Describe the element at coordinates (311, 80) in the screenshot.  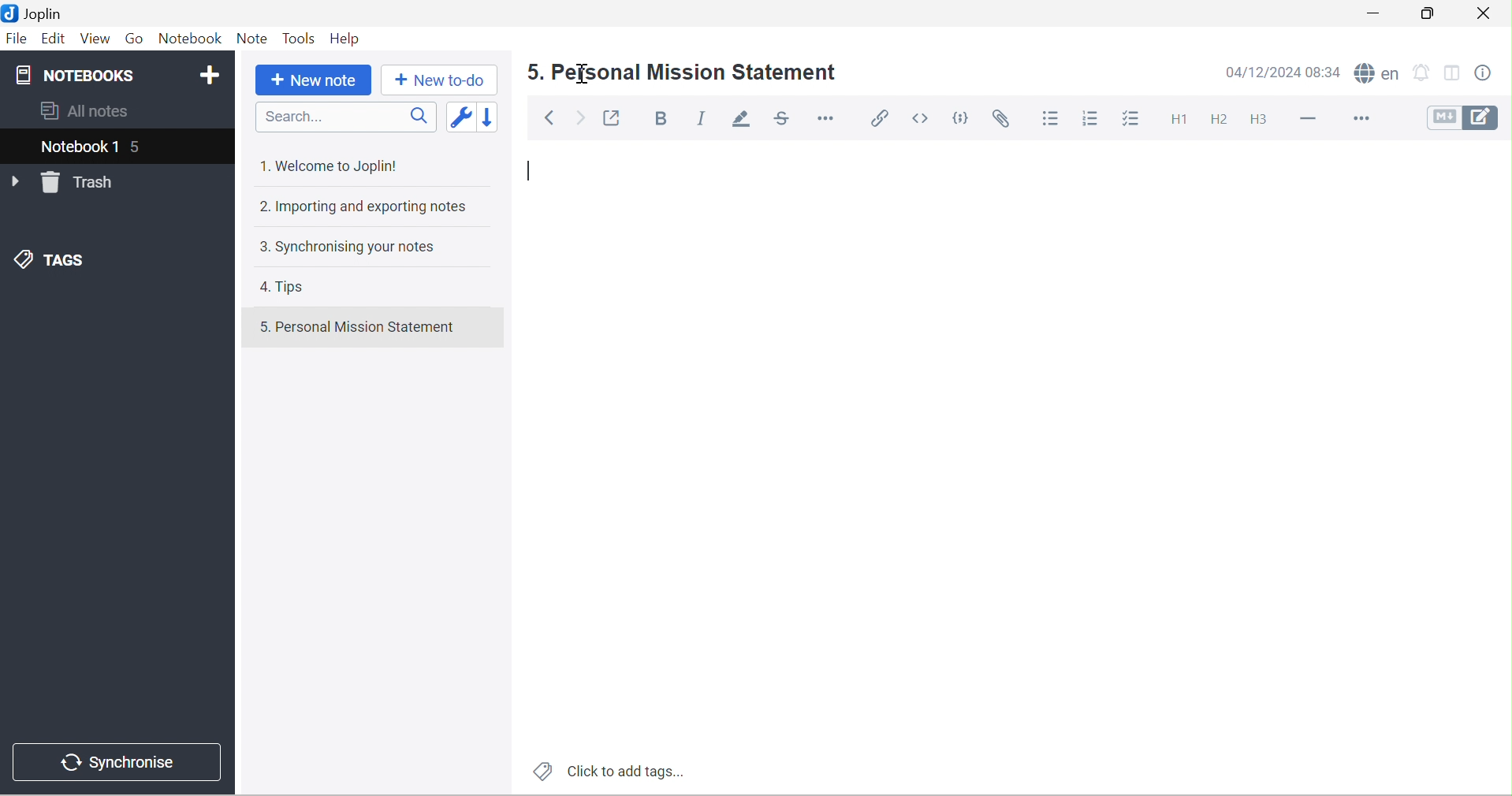
I see `New note` at that location.